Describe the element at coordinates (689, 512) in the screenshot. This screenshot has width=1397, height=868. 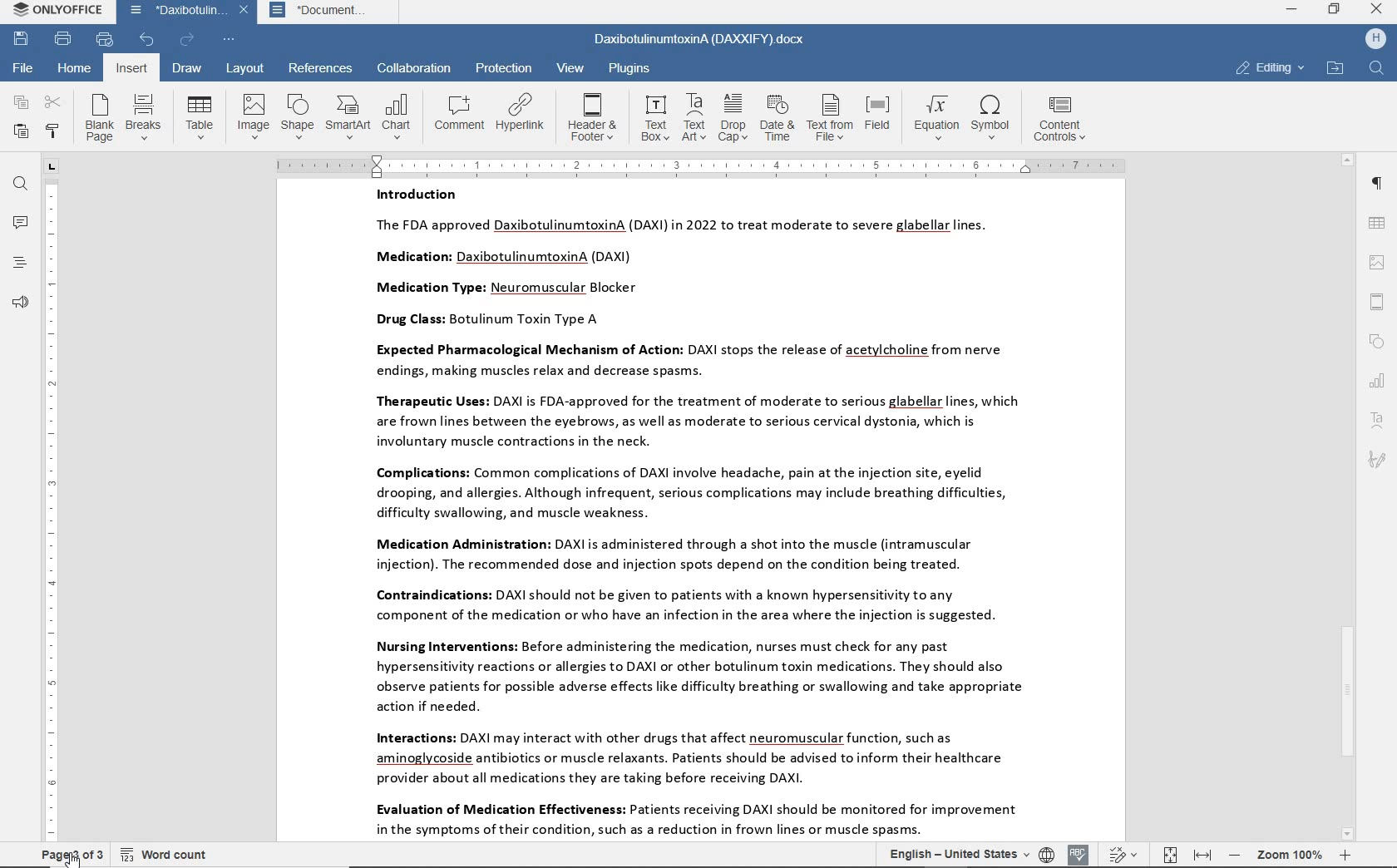
I see `Introduction

The FDA approved DaxibotulinumtoxinA (DAXI) in 2022 to treat moderate to severe glabellar lines.
Medication: DaxibotulinumtoxinA (DAXI)

Medication Type: Neuromuscular Blocker

Drug Class: Botulinum Toxin Type A

Expected Pharmacological Mechanism of Action: DAXI stops the release of acetylcholine from nerve
endings, making muscles relax and decrease spasms.

Therapeutic Uses: DAXI is FDA-approved for the treatment of moderate to serious glabellar lines, which
are frown lines between the eyebrows, as well as moderate to serious cervical dystonia, which is
involuntary muscle contractions in the neck.

Complications: Common complications of DAXI involve headache, pain at the injection site, eyelid
drooping, and allergies. Although infrequent, serious complications may include breathing difficulties,
difficulty swallowing, and muscle weakness.

Medication Administration: DAXI is administered through a shot into the muscle (intramuscular
injection). The recommended dose and injection spots depend on the condition being treated.
Contraindications: DAXI should not be given to patients with a known hypersensitivity to any
component of the medication or who have an infection in the area where the injection is suggested.
Nursing Interventions: Before administering the medication, nurses must check for any past
hypersensitivity reactions or allergies to DAXI or other botulinum toxin medications. They should also
observe patients for possible adverse effects like difficulty breathing or swallowing and take appropriate
action if needed.

Interactions: DAXI may interact with other drugs that affect neuromuscular function, such as
aminoglycoside antibiotics or muscle relaxants. Patients should be advised to inform their healthcare
provider about all medications they are taking before receiving DAXI.

Evaluation of Medication Effectiveness: Patients receiving DAXI should be monitored for improvement
in the symptoms of their condition, such as a reduction in frown lines or muscle spasms.` at that location.